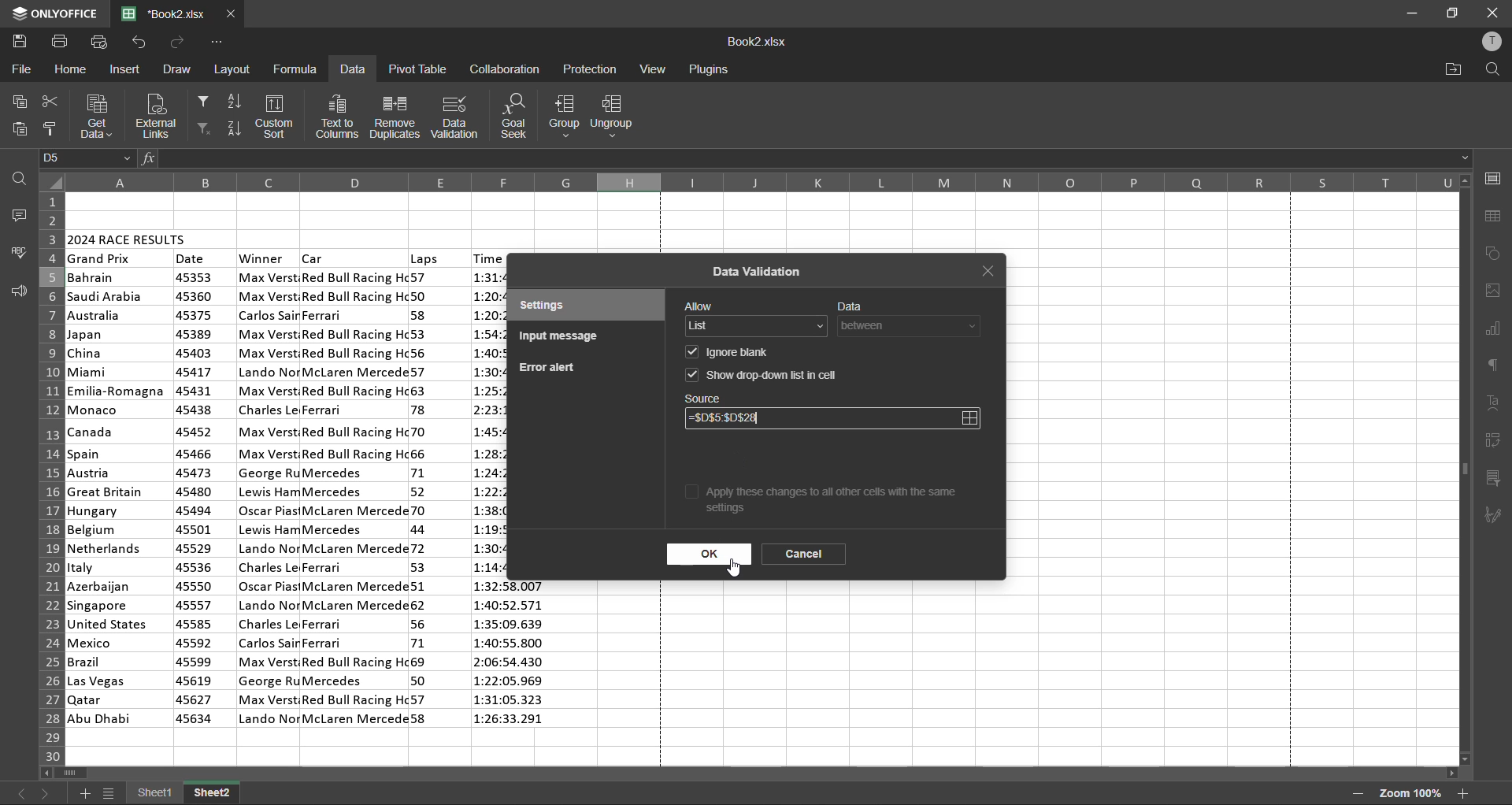 This screenshot has width=1512, height=805. Describe the element at coordinates (699, 305) in the screenshot. I see `allow` at that location.